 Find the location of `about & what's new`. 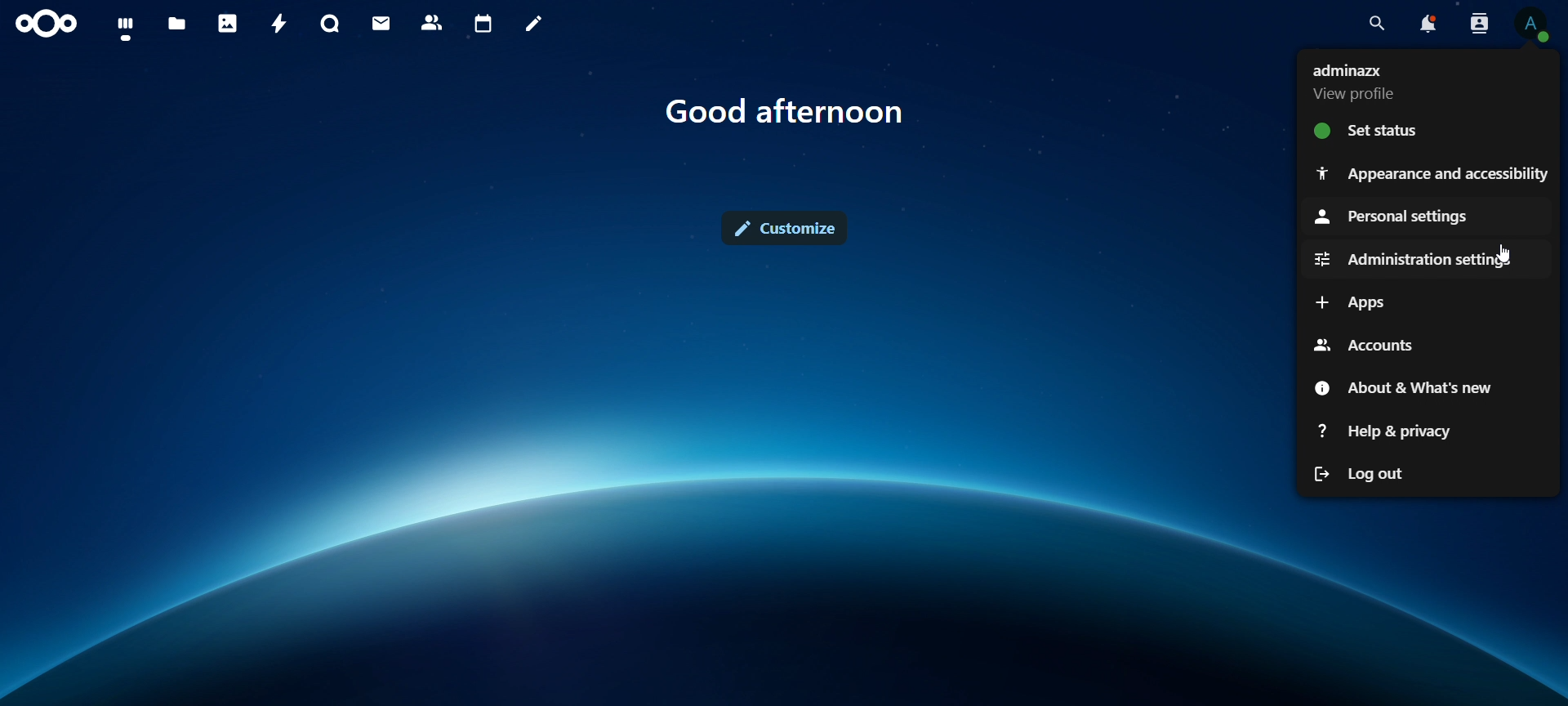

about & what's new is located at coordinates (1405, 388).